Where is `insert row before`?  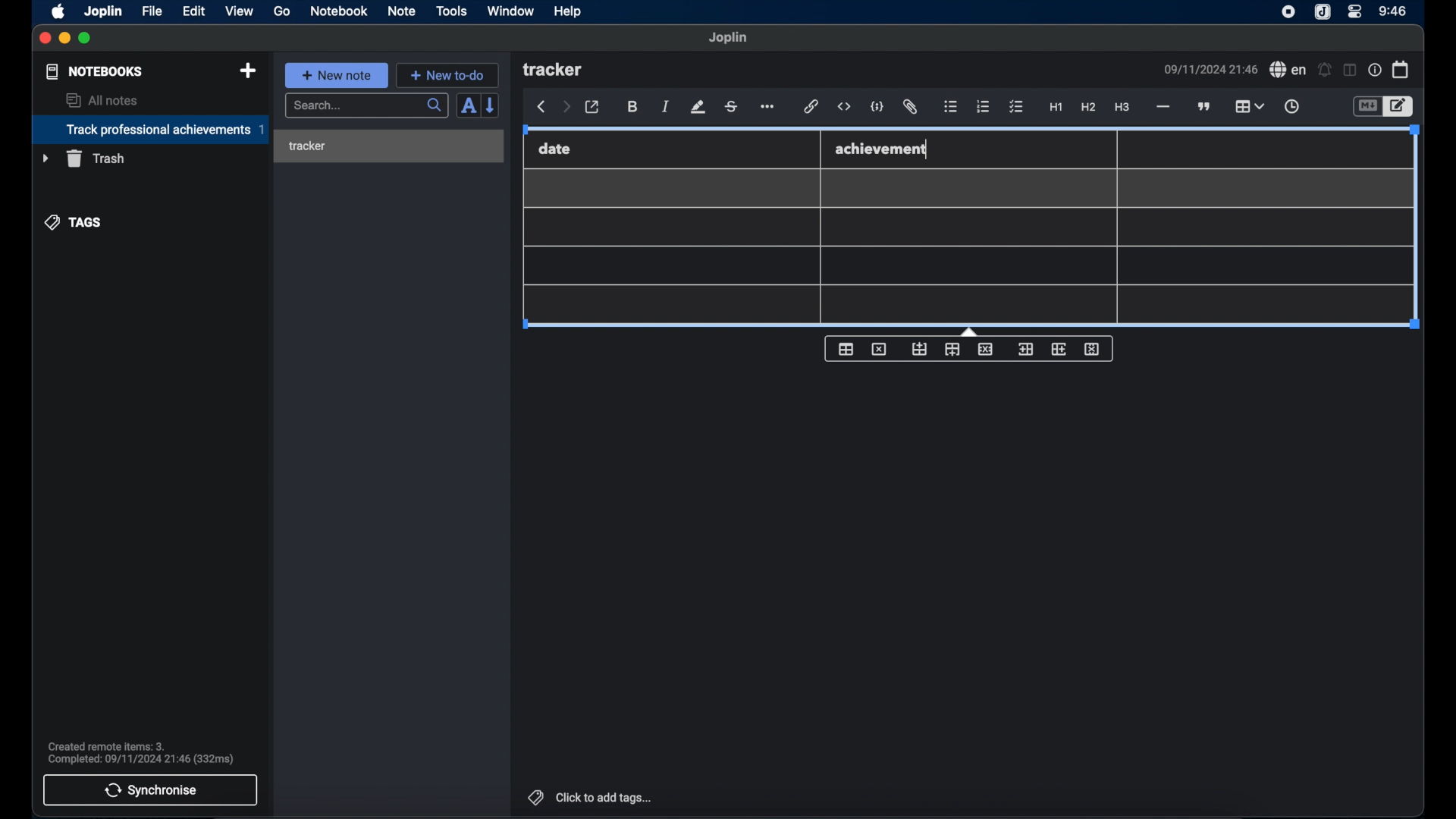
insert row before is located at coordinates (919, 349).